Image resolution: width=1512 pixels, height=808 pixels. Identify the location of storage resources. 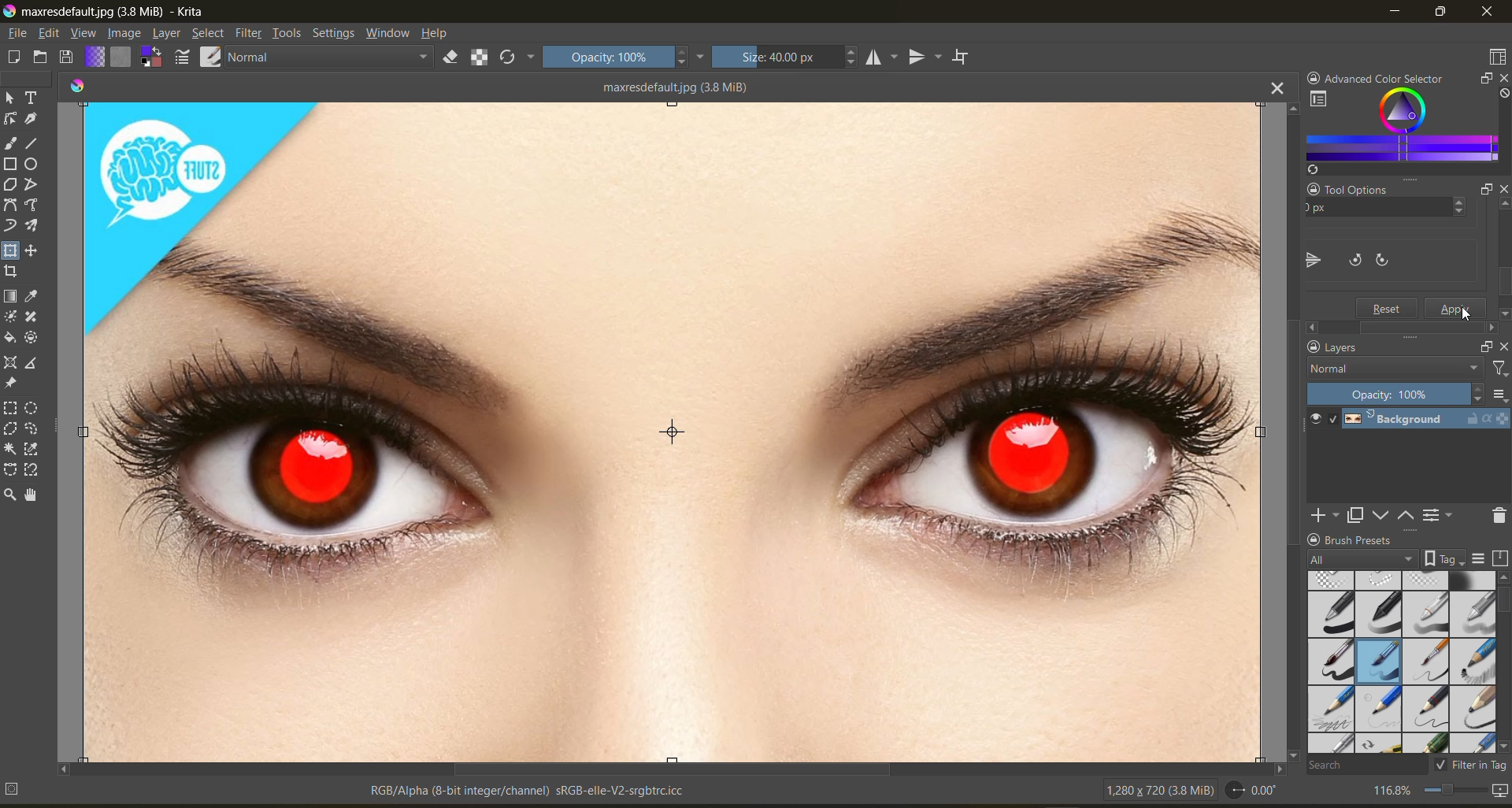
(1499, 558).